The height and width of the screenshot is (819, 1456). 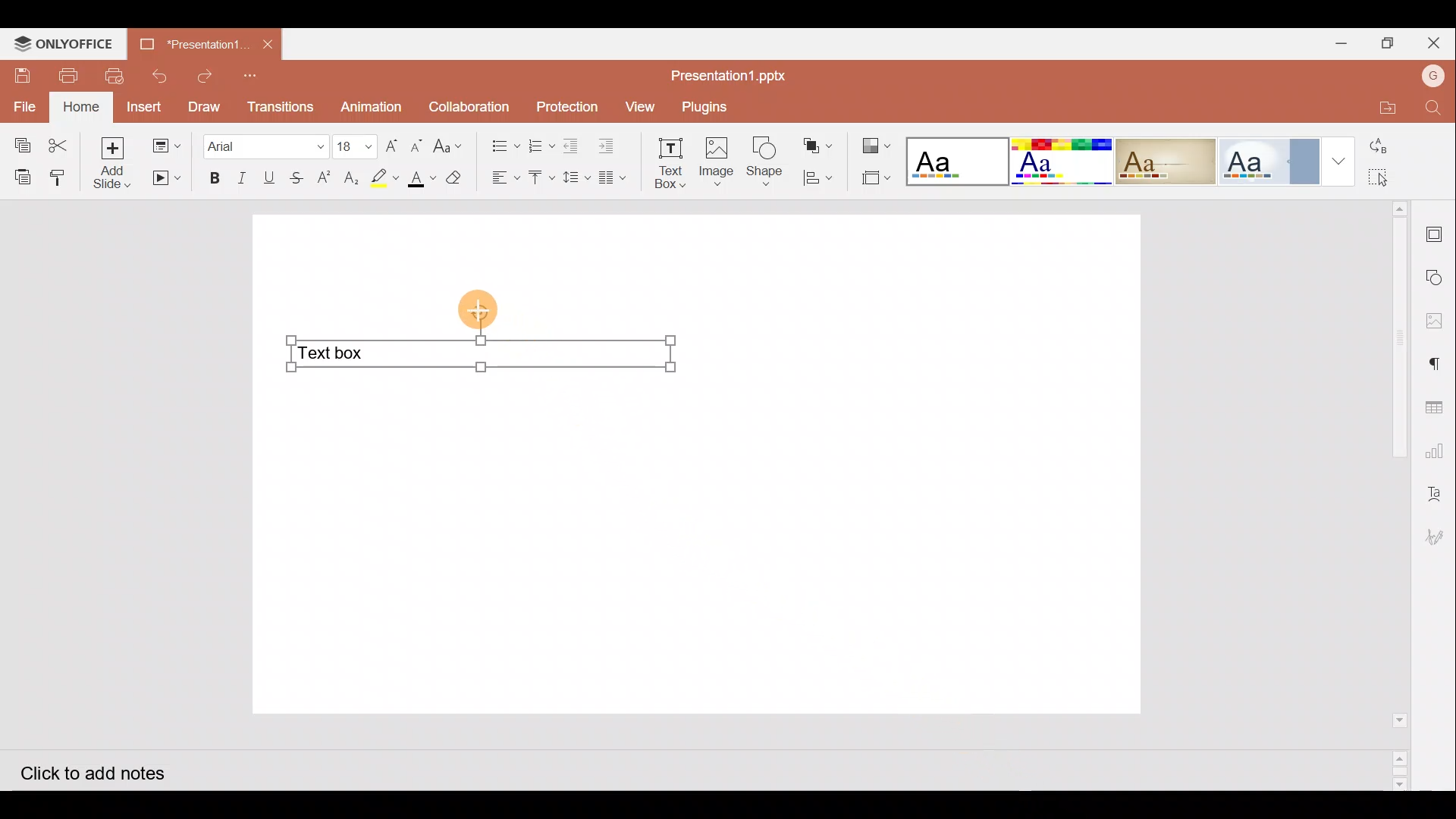 I want to click on Bullets, so click(x=501, y=142).